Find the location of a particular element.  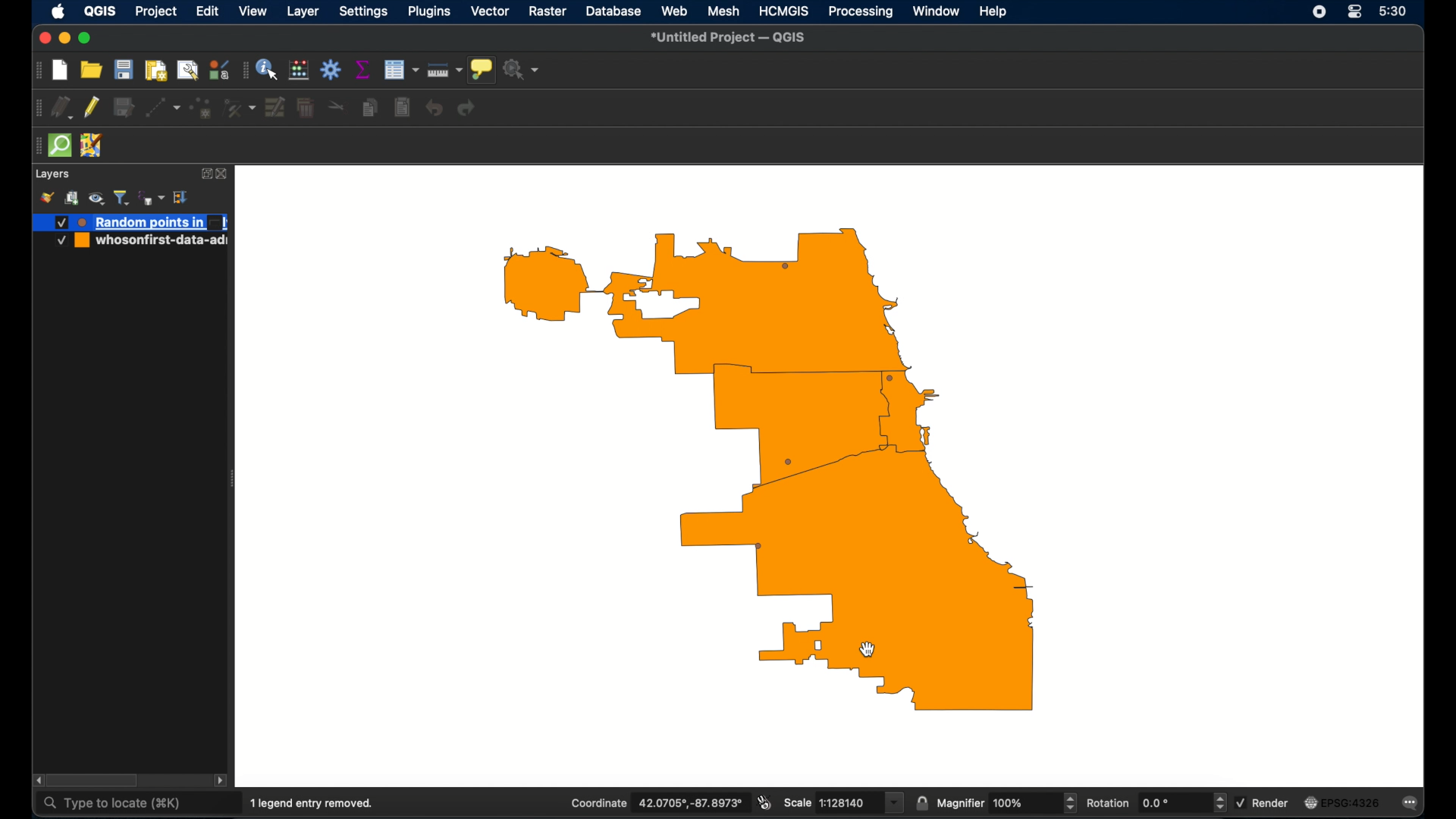

filter legend is located at coordinates (124, 197).